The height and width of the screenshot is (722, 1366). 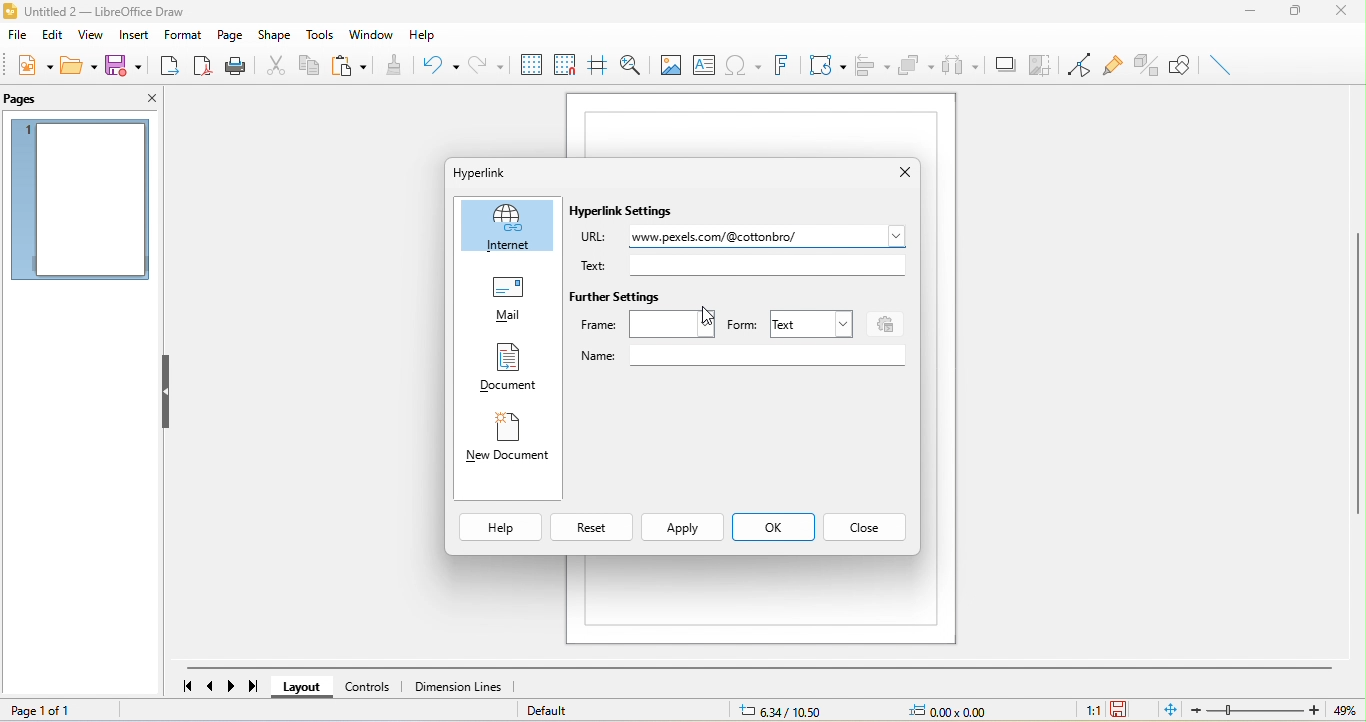 What do you see at coordinates (600, 354) in the screenshot?
I see `name` at bounding box center [600, 354].